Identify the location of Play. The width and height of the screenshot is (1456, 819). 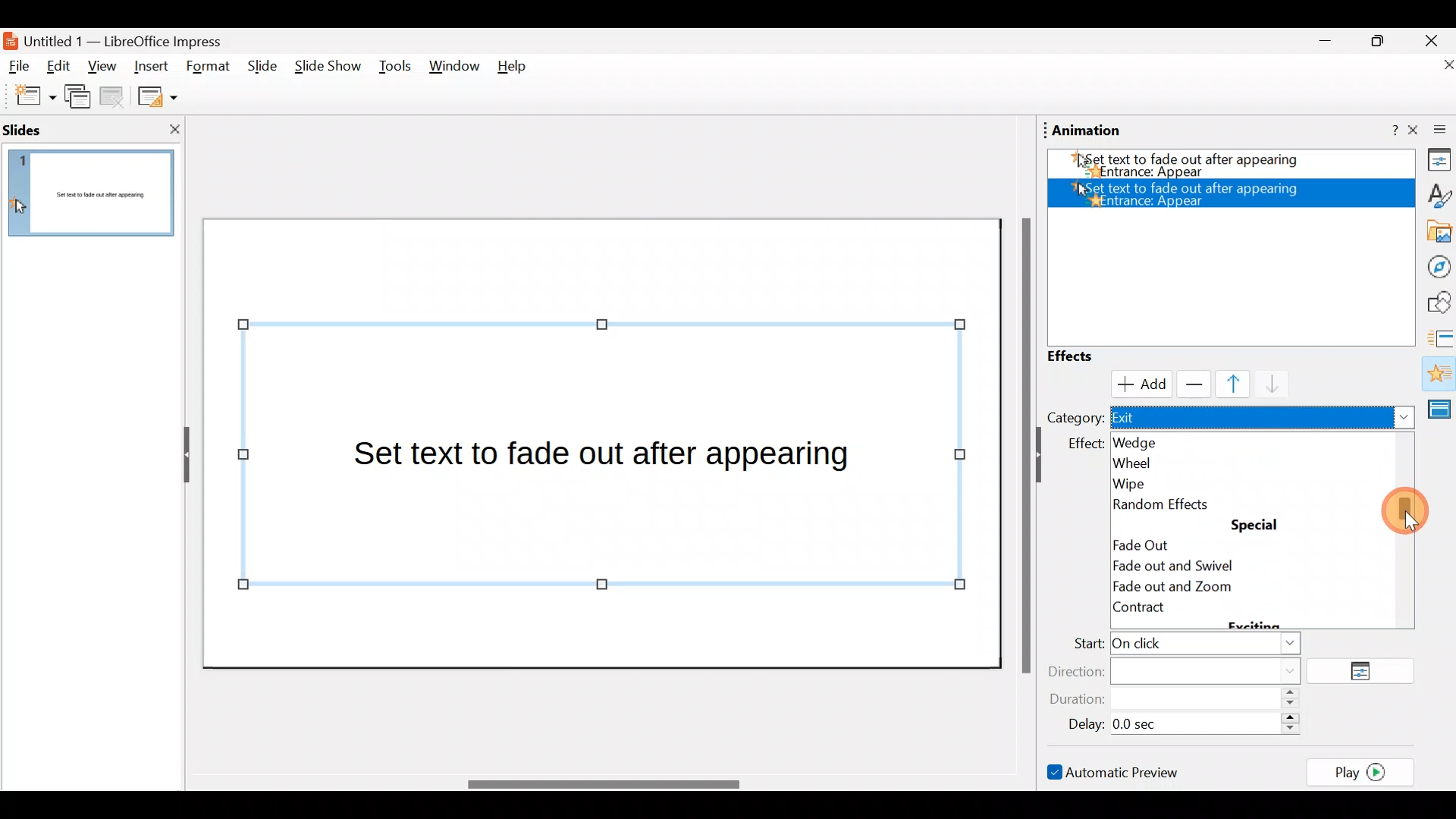
(1365, 771).